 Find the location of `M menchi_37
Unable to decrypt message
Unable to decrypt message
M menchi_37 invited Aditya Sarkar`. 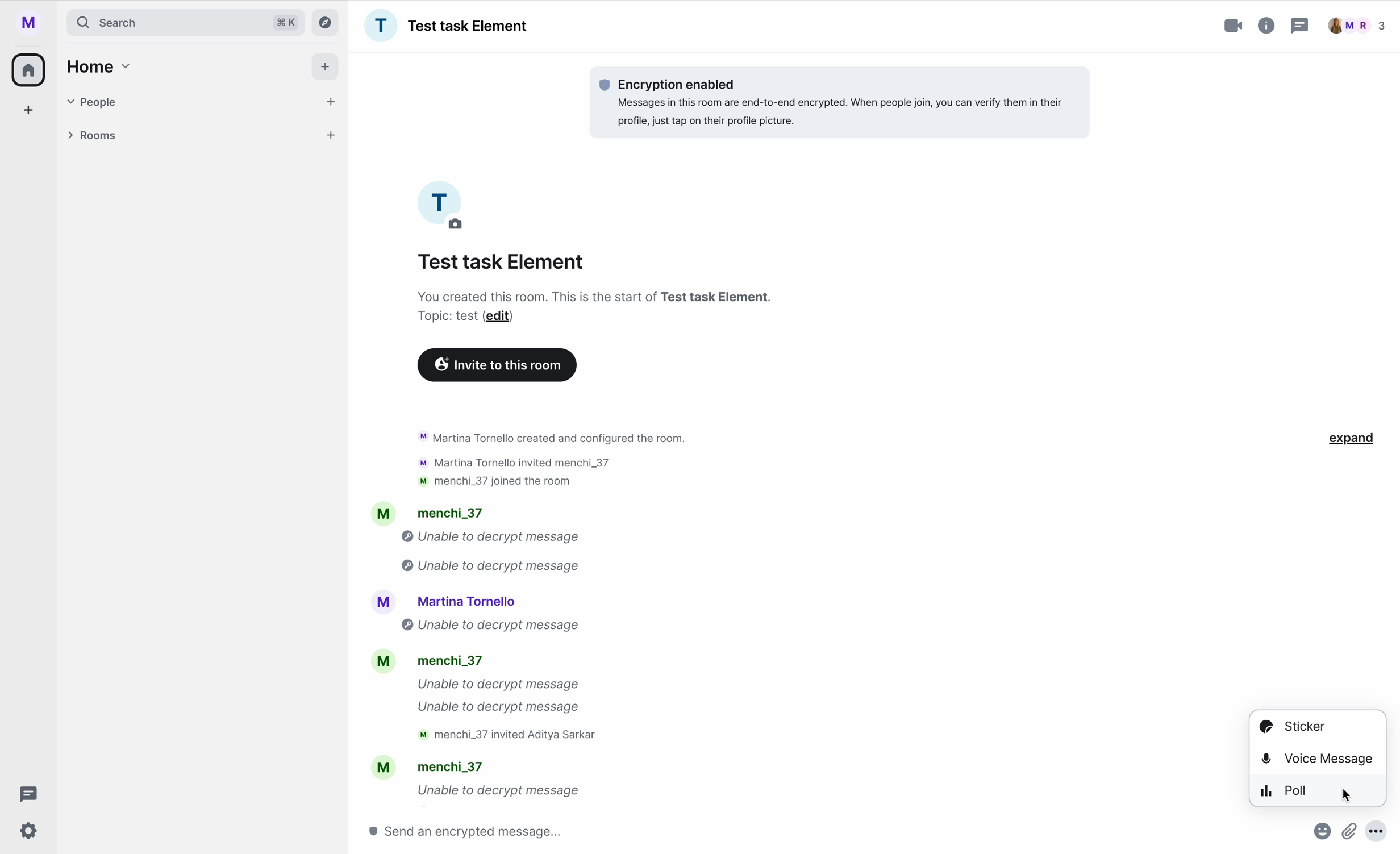

M menchi_37
Unable to decrypt message
Unable to decrypt message
M menchi_37 invited Aditya Sarkar is located at coordinates (491, 700).